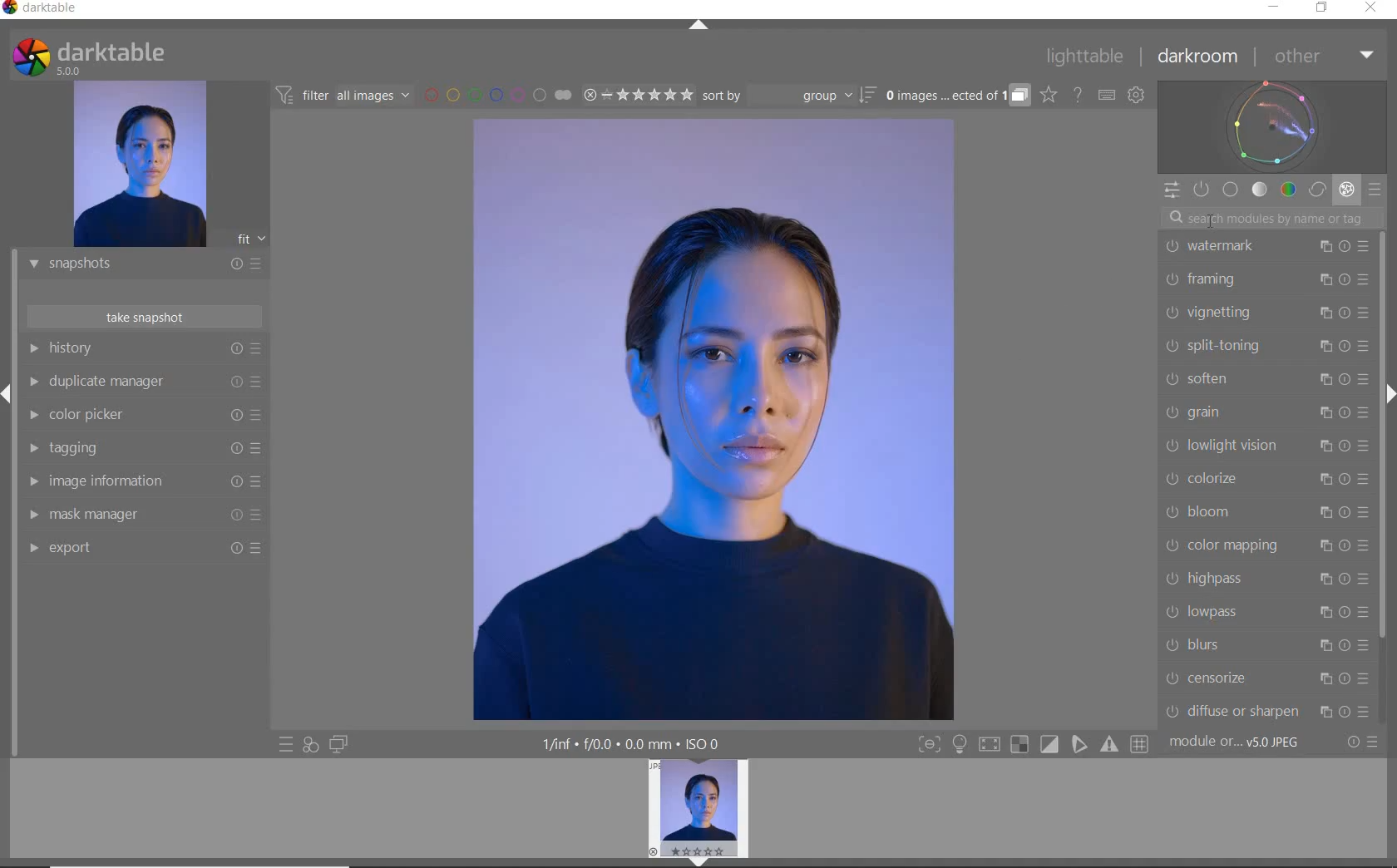 This screenshot has width=1397, height=868. I want to click on HELP ONLINE, so click(1078, 94).